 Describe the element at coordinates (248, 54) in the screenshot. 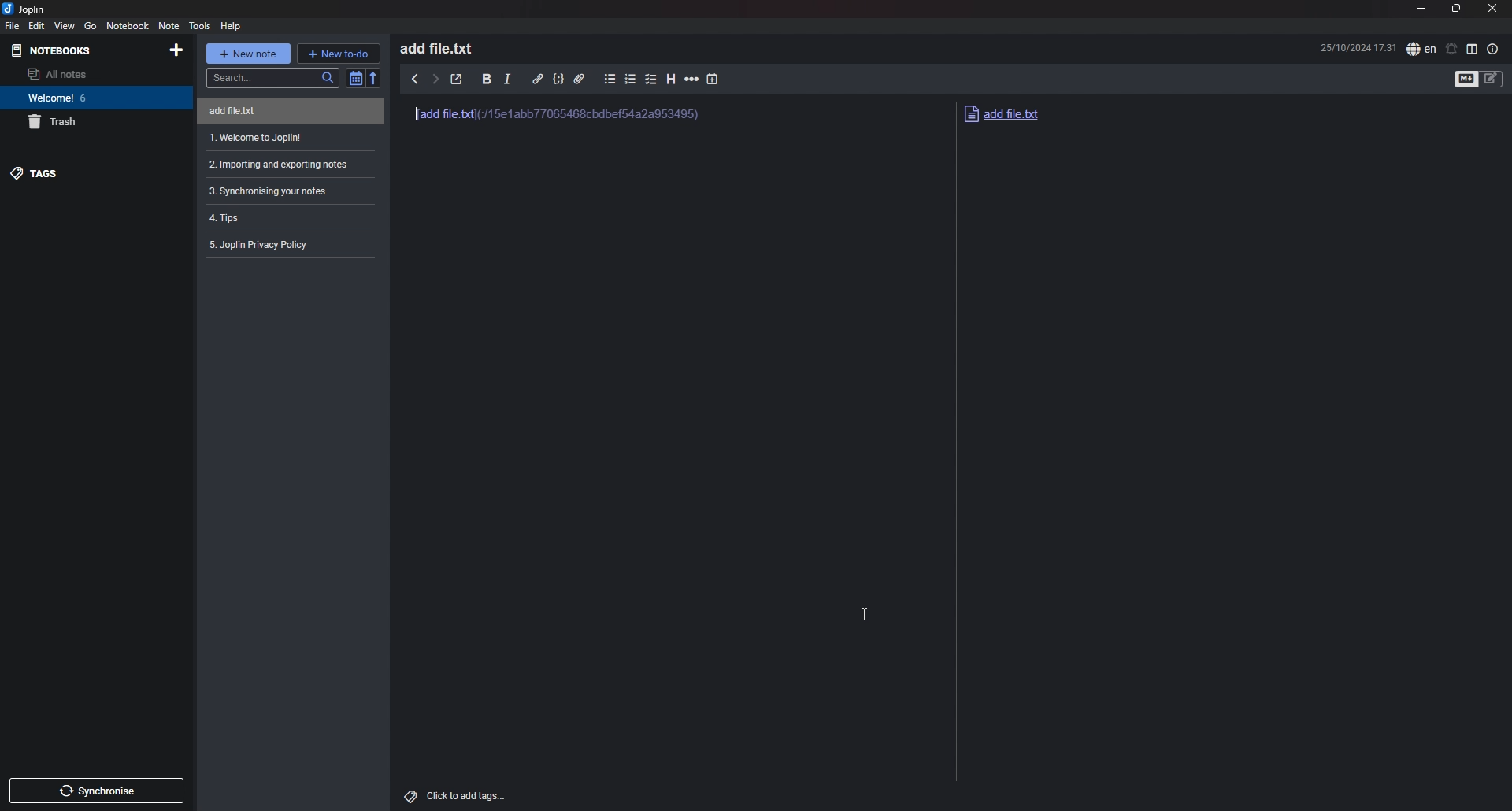

I see `new note` at that location.